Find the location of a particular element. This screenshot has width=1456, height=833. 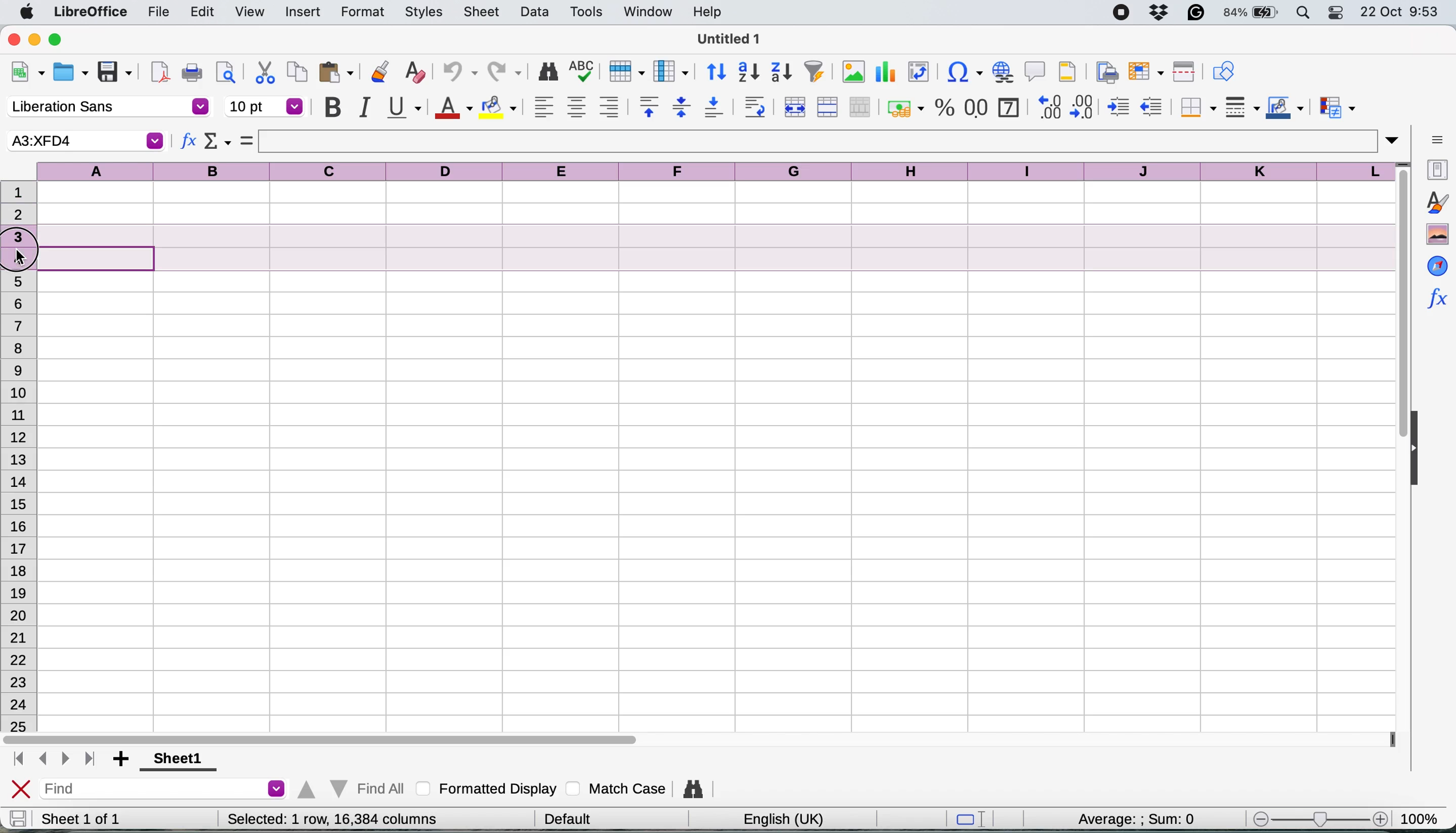

new is located at coordinates (27, 74).